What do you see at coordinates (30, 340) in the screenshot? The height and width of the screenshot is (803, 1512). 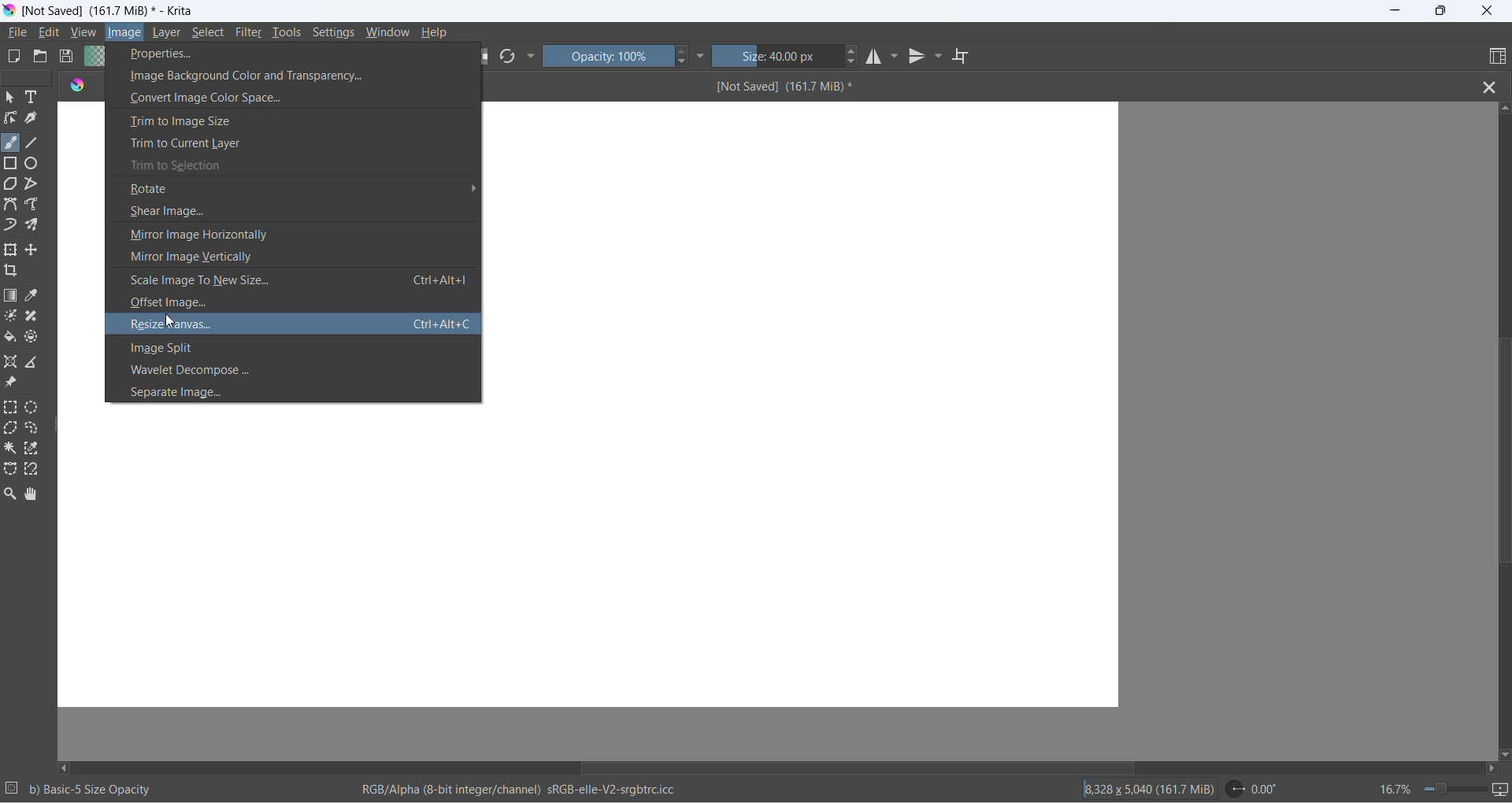 I see `enclose and fill tool` at bounding box center [30, 340].